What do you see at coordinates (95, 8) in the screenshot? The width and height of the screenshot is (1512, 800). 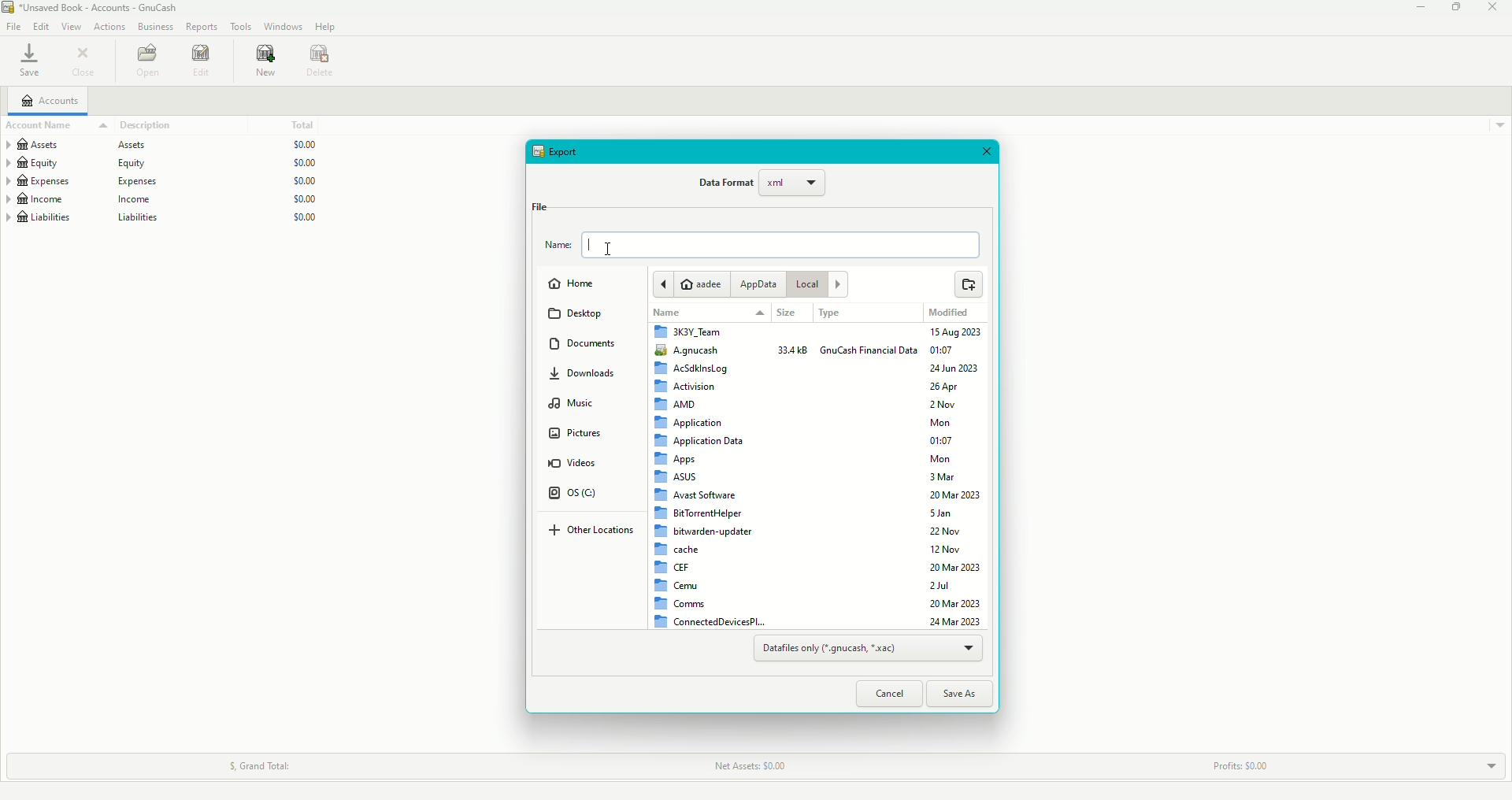 I see `Unnamed Book - Accounts - GnuCash` at bounding box center [95, 8].